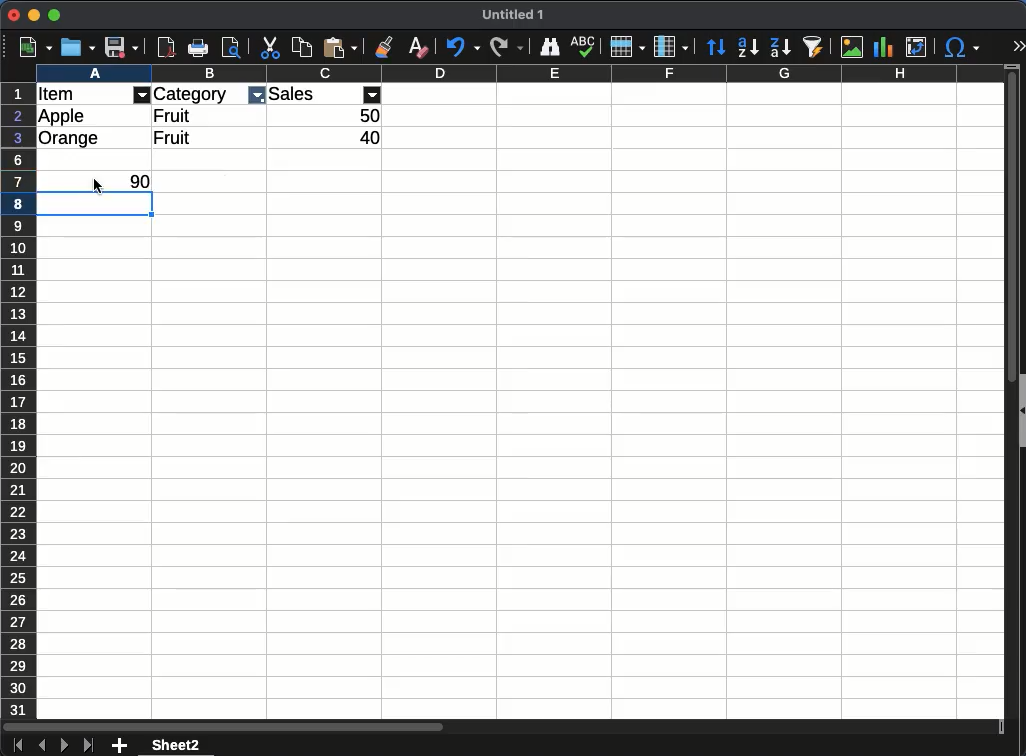 This screenshot has height=756, width=1026. I want to click on last sheet, so click(88, 746).